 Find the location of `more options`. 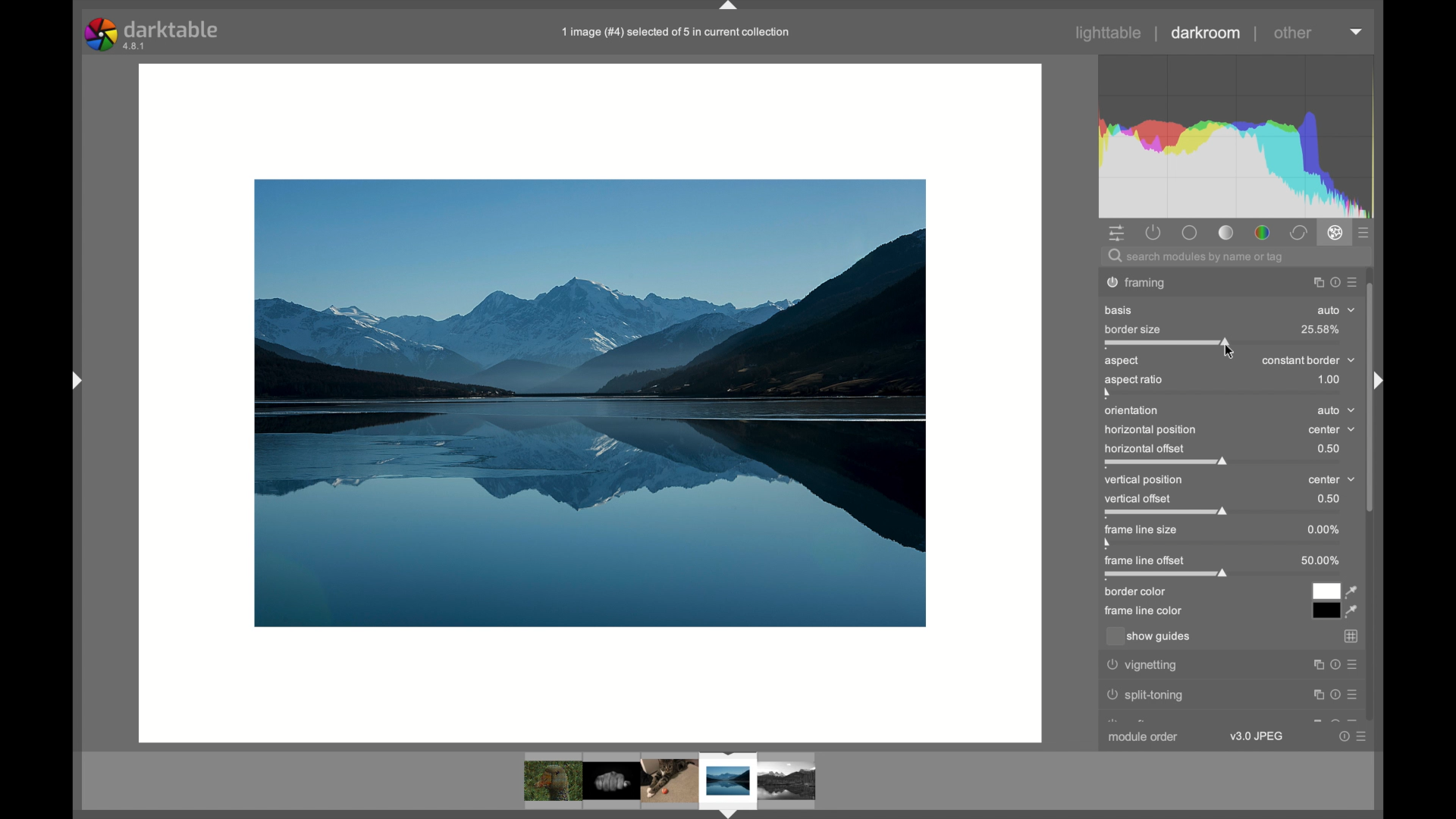

more options is located at coordinates (1336, 664).